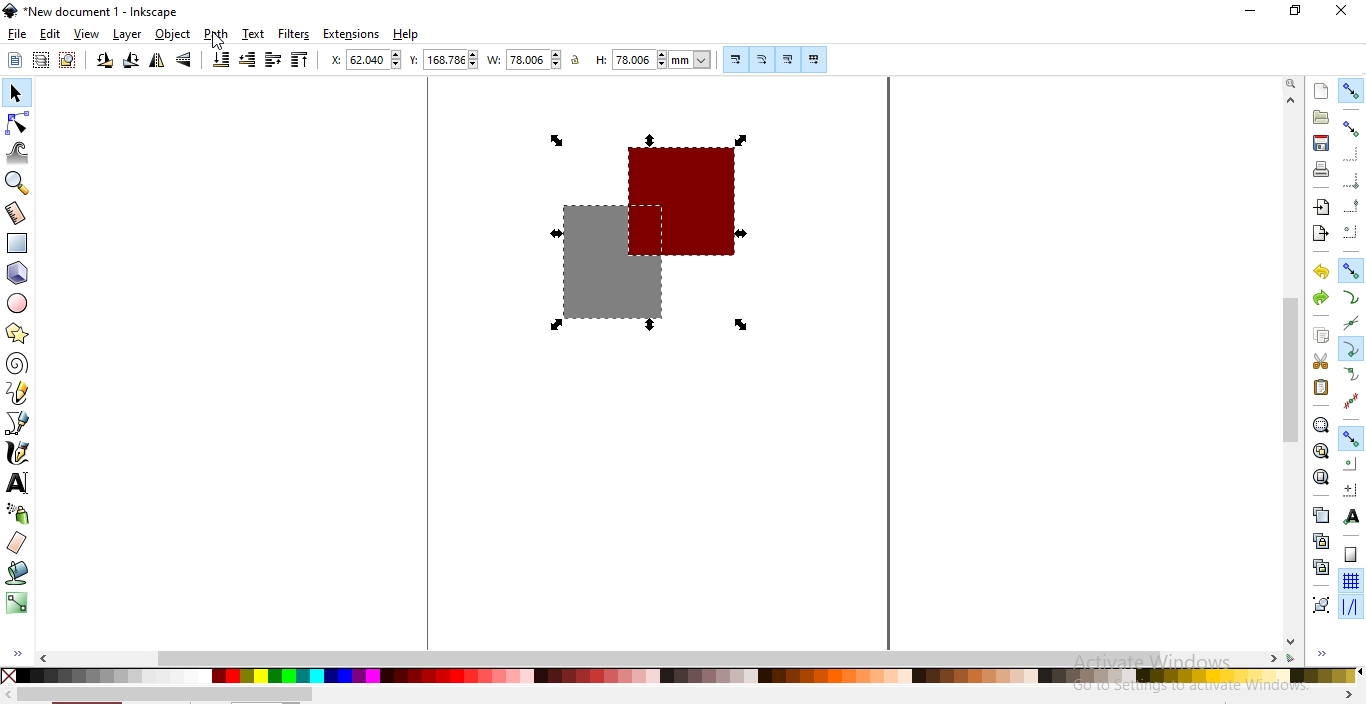 This screenshot has width=1366, height=704. I want to click on spray objects by sculpting or painting, so click(18, 513).